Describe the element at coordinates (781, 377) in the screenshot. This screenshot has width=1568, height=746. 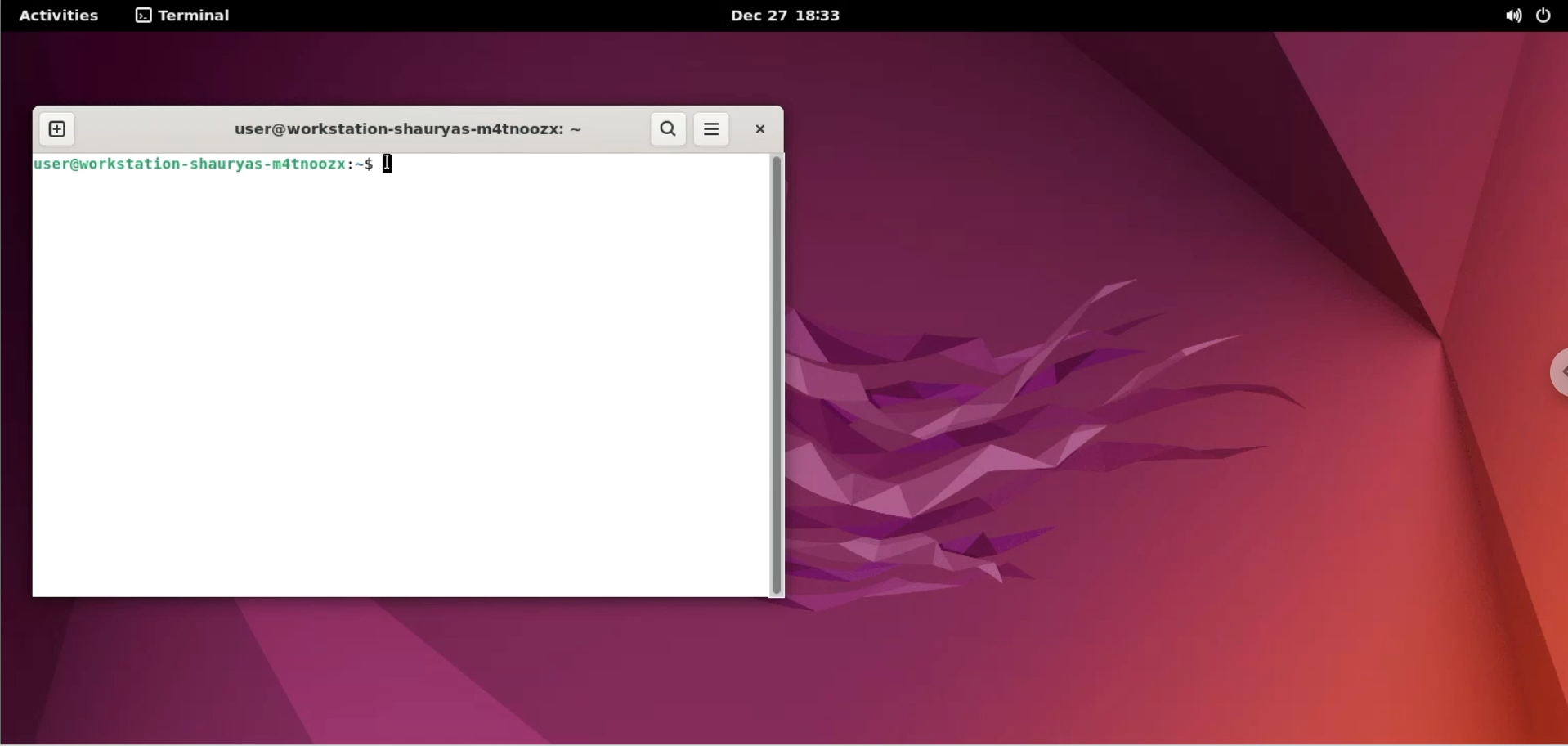
I see `scrollbar` at that location.